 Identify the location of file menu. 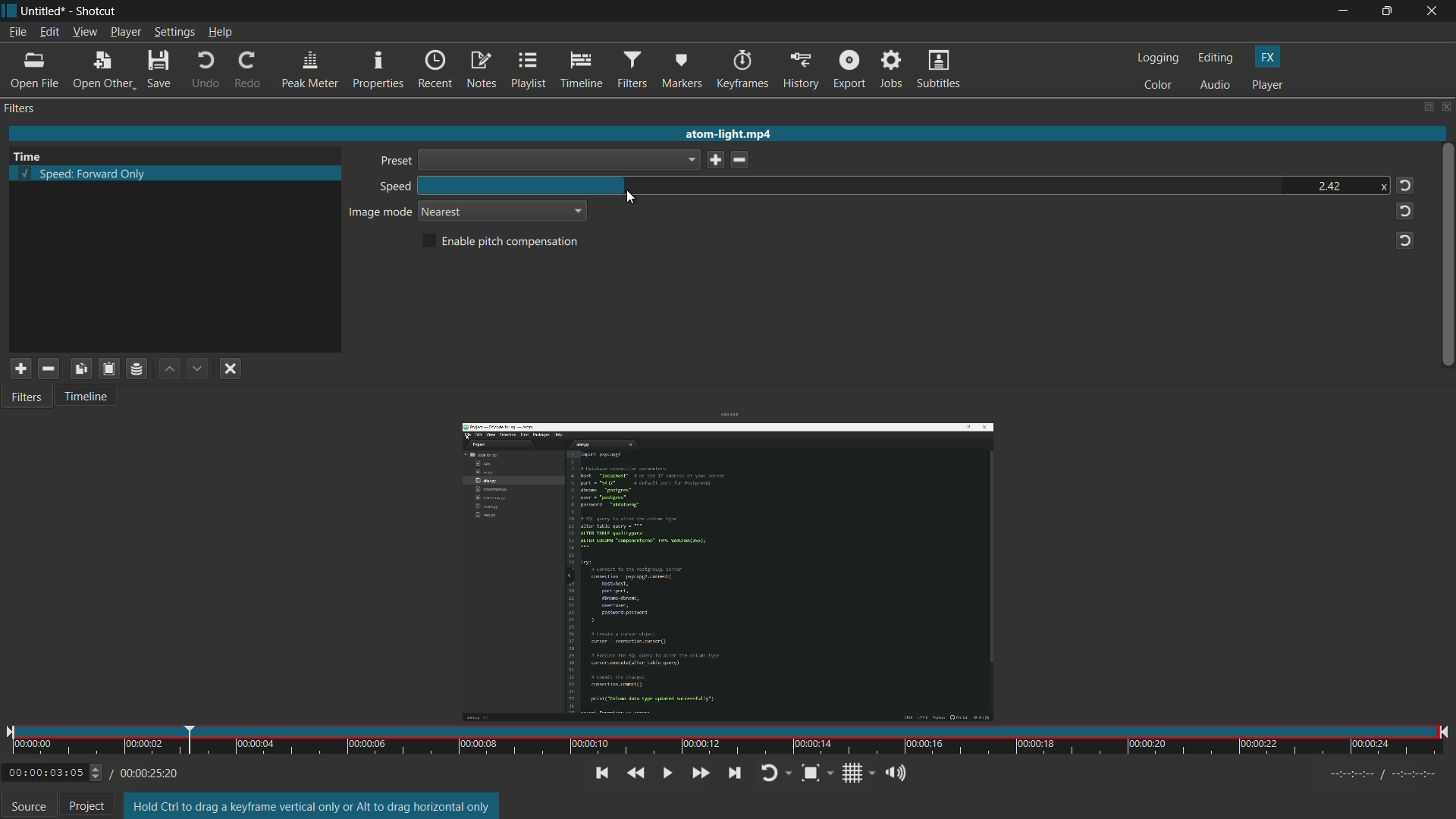
(17, 32).